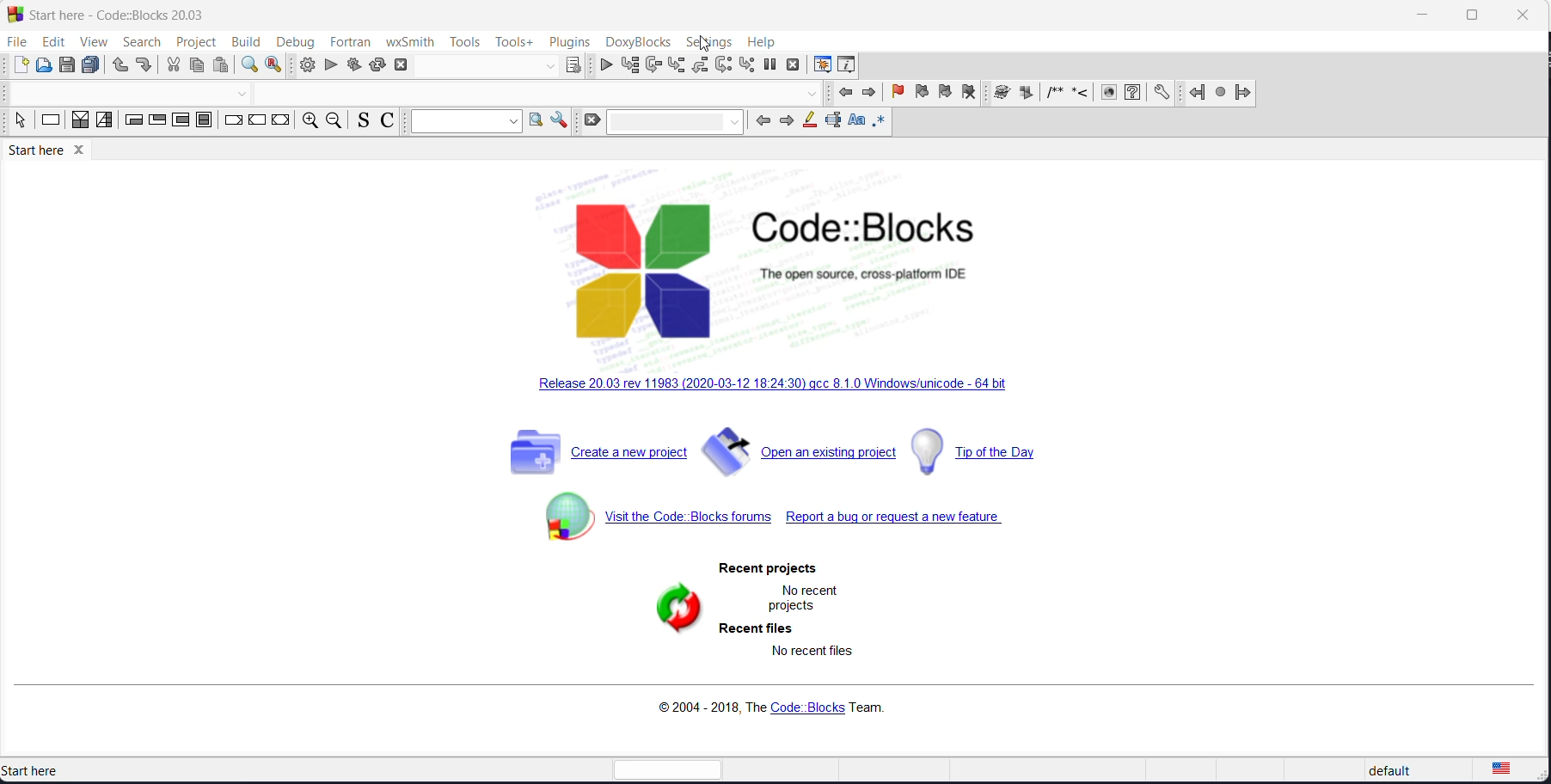  I want to click on no recent projects, so click(810, 596).